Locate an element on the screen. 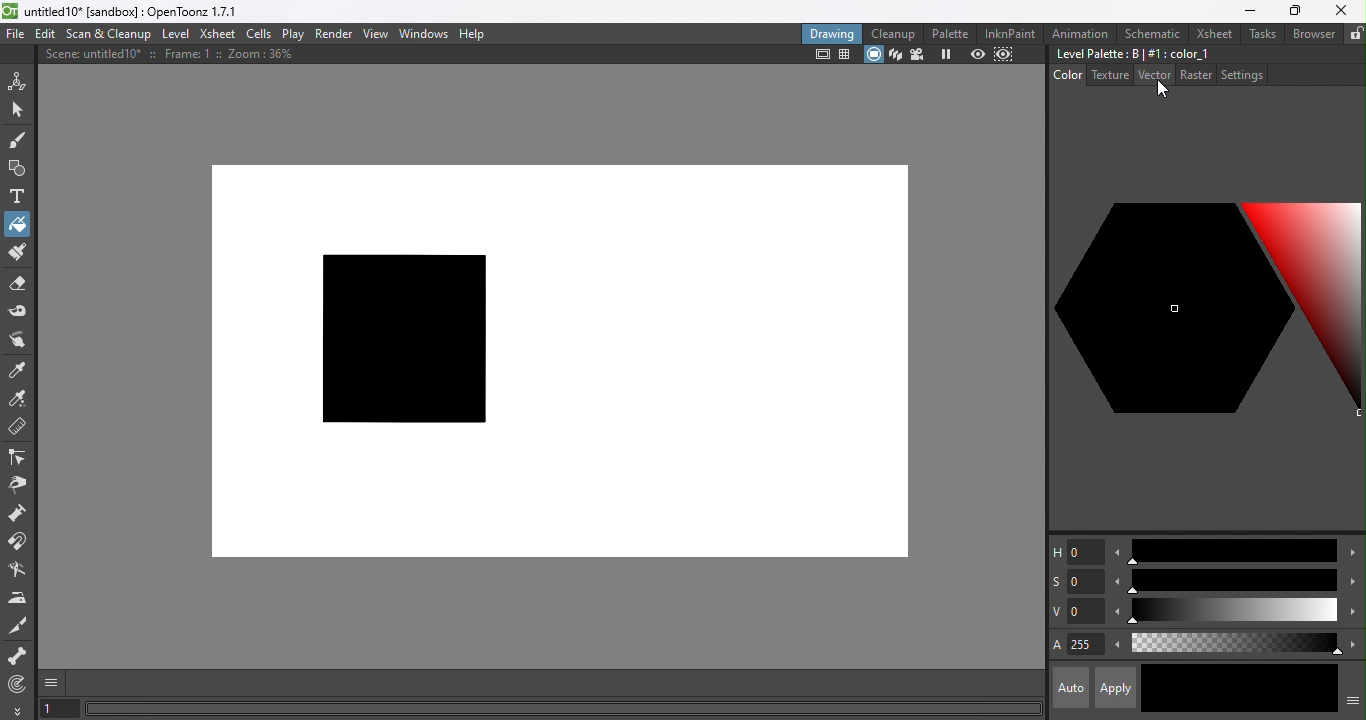  Minimize is located at coordinates (1250, 10).